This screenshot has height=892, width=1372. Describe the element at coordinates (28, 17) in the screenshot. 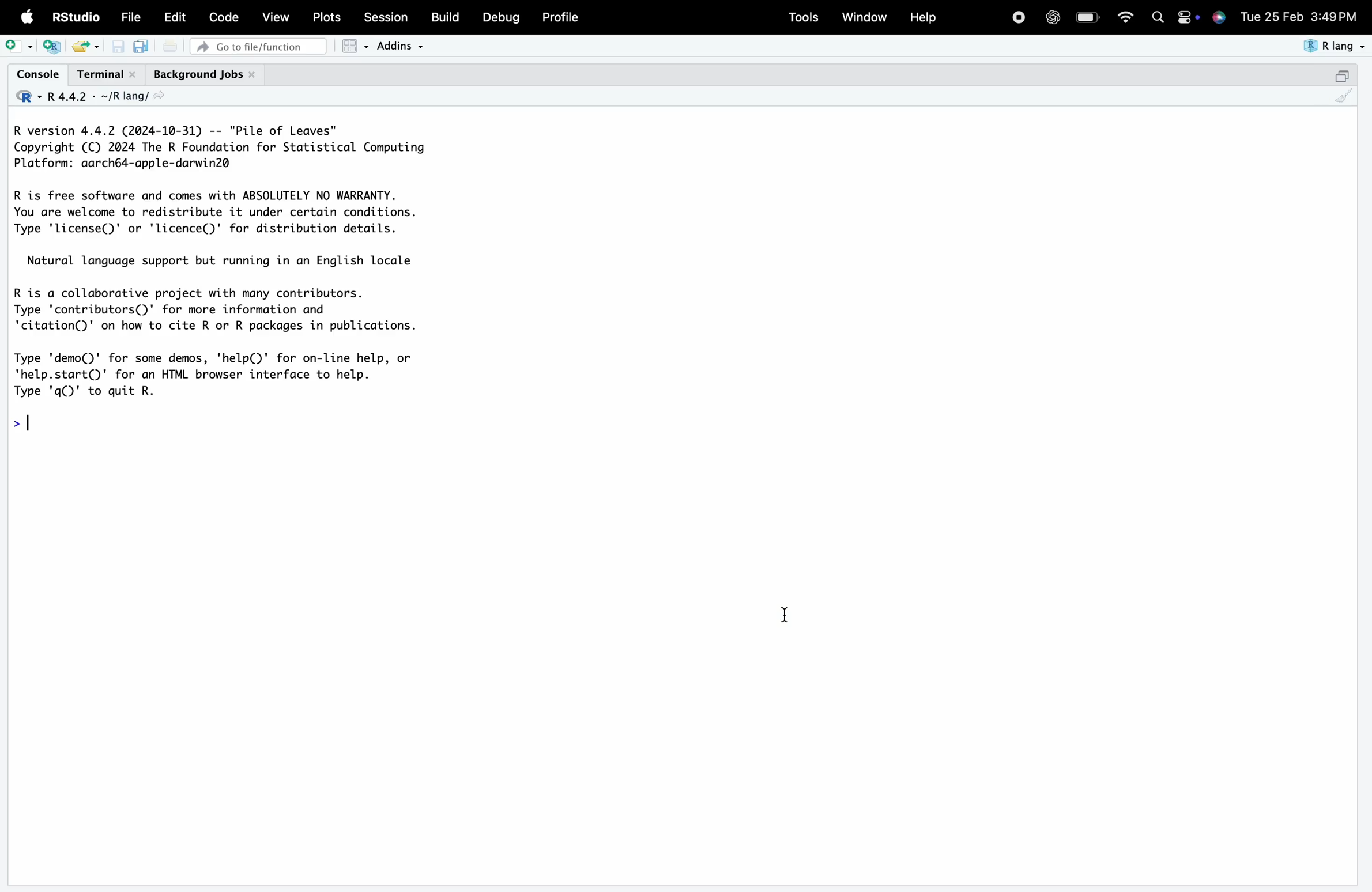

I see `Apple logo` at that location.